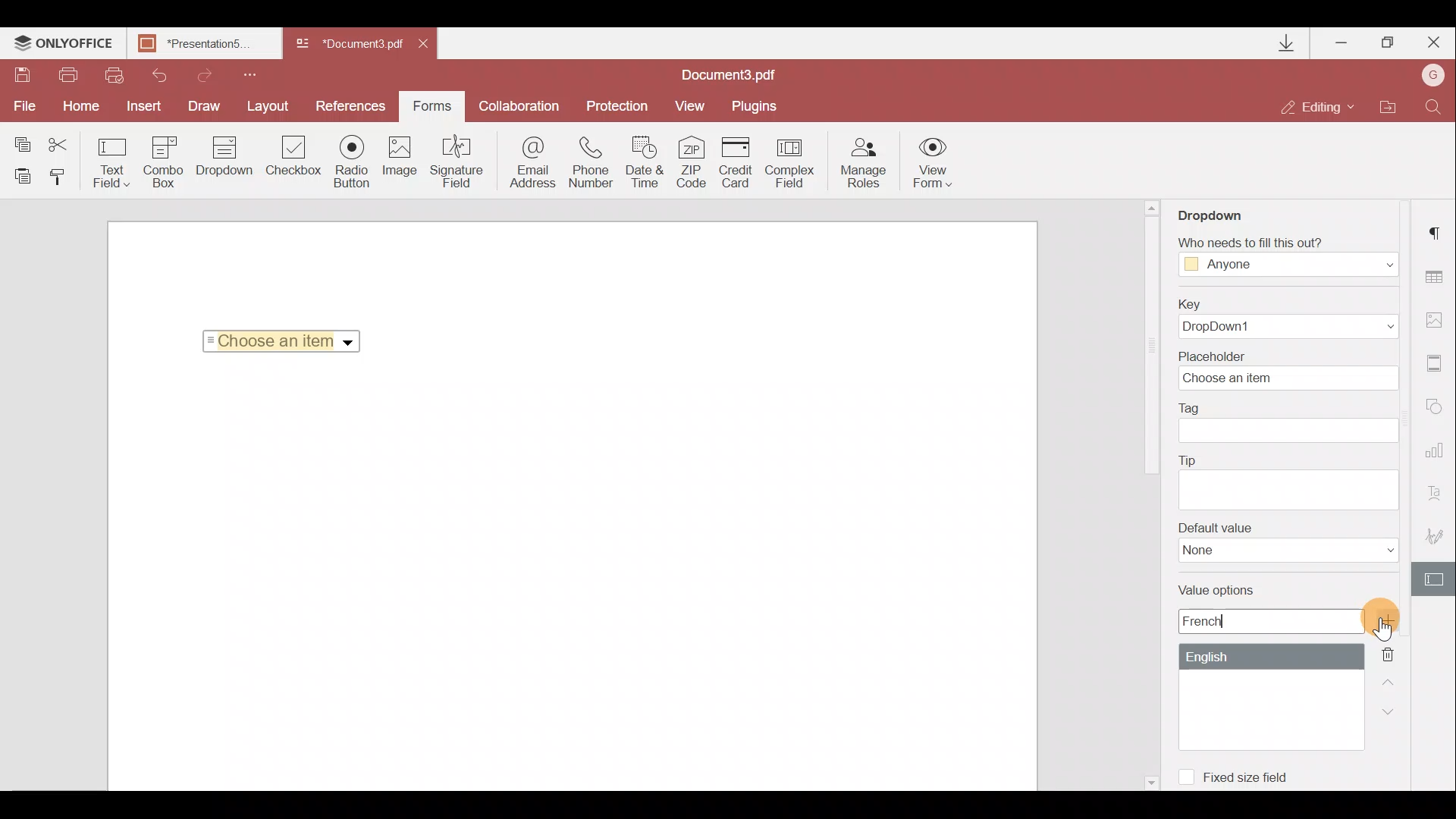 The image size is (1456, 819). I want to click on Header & Footer settings, so click(1438, 366).